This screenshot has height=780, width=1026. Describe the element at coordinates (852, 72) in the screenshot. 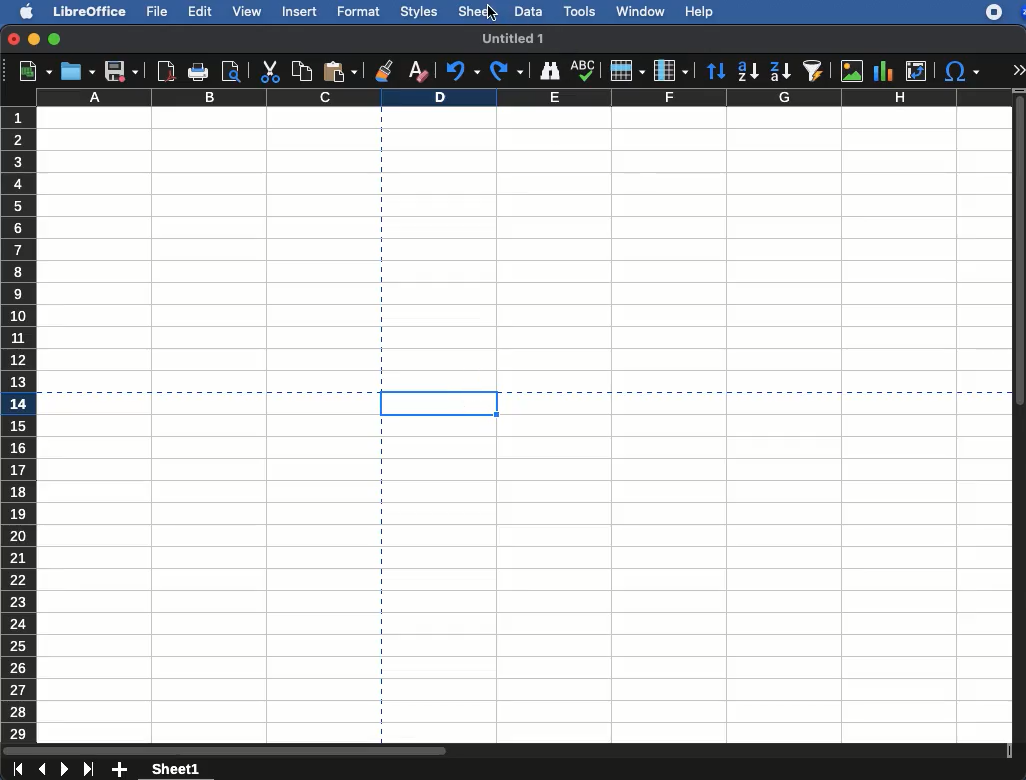

I see `image` at that location.